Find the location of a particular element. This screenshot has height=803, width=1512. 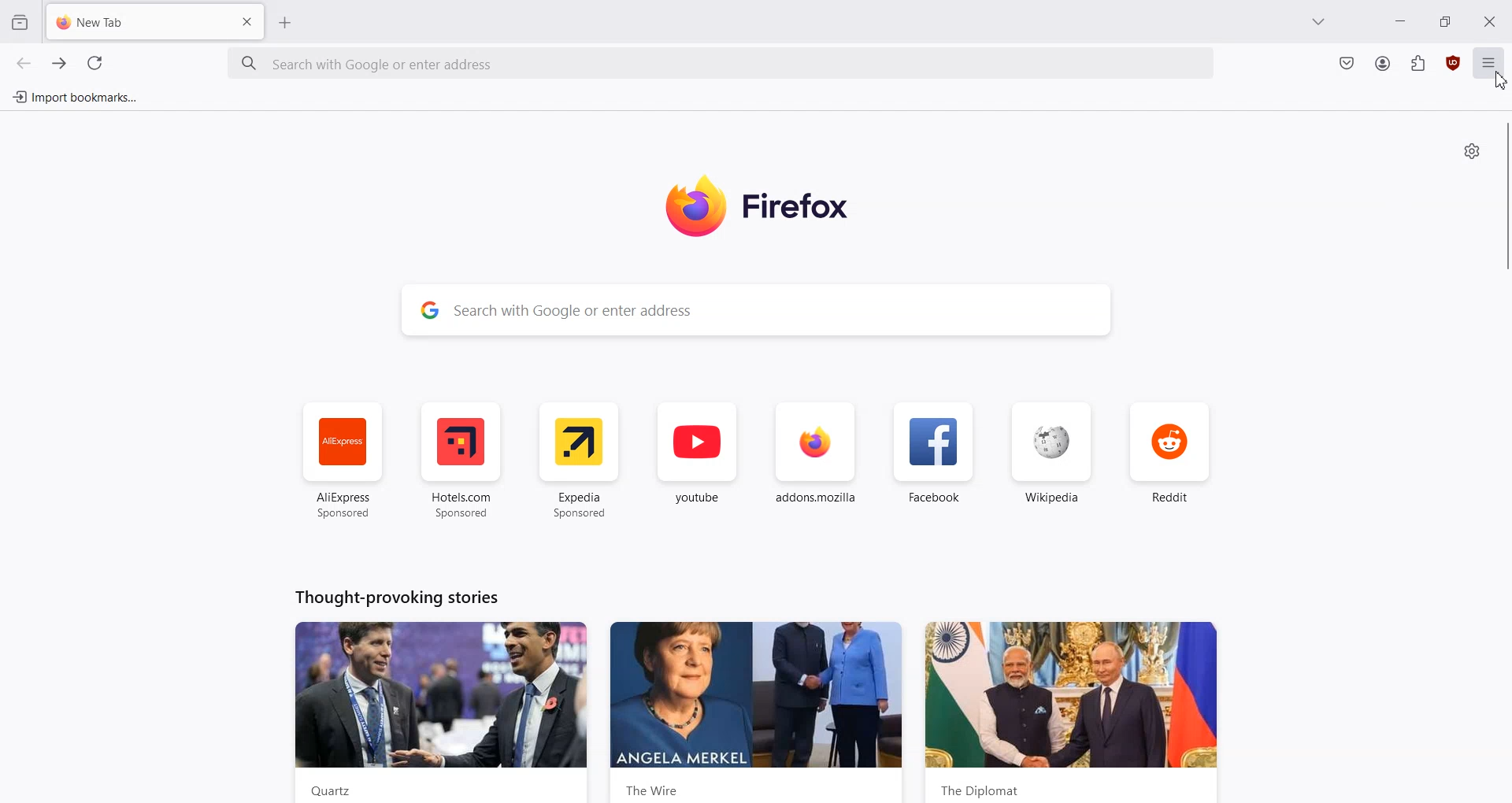

News is located at coordinates (1088, 709).